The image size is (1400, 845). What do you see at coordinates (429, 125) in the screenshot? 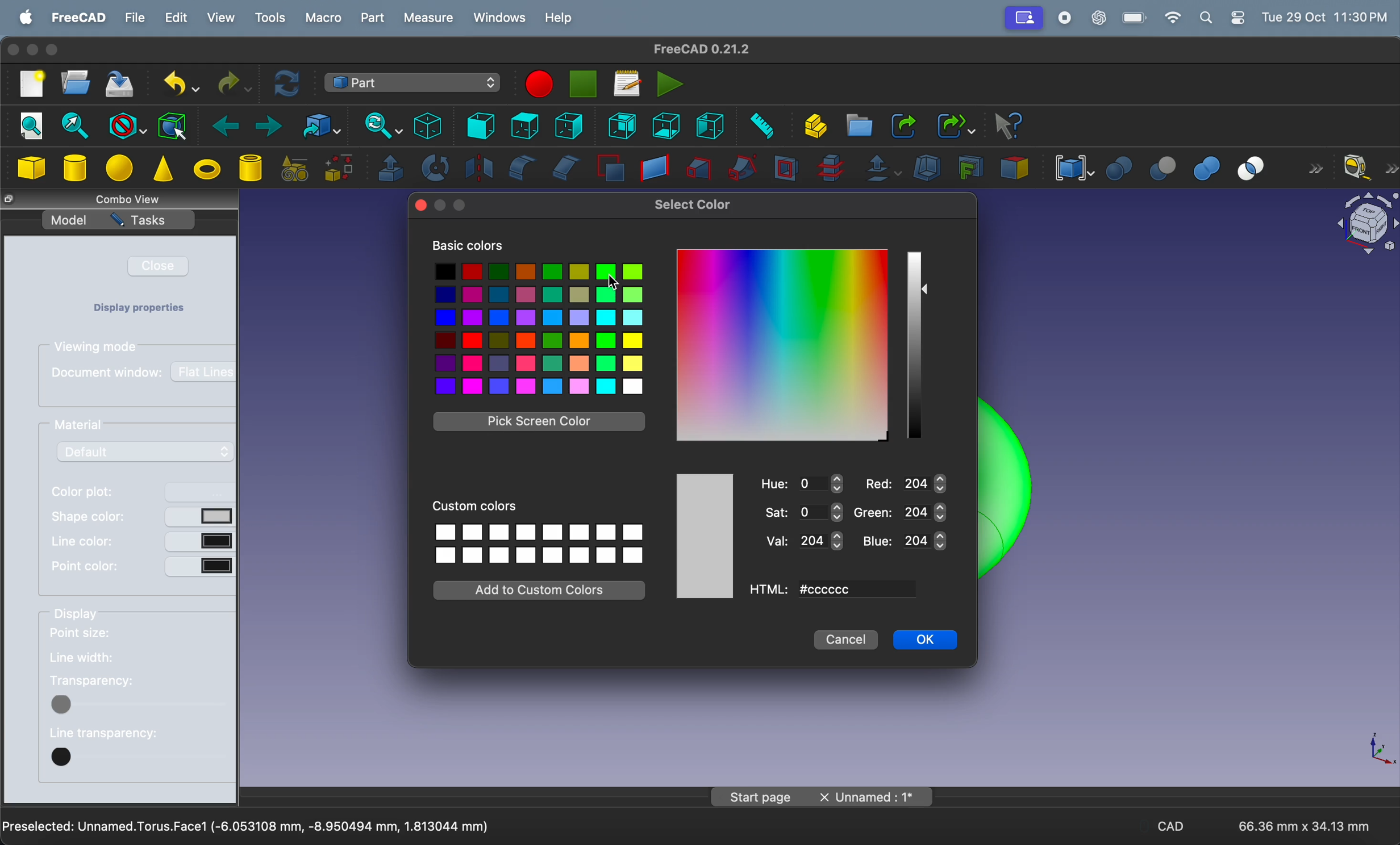
I see `isometric view` at bounding box center [429, 125].